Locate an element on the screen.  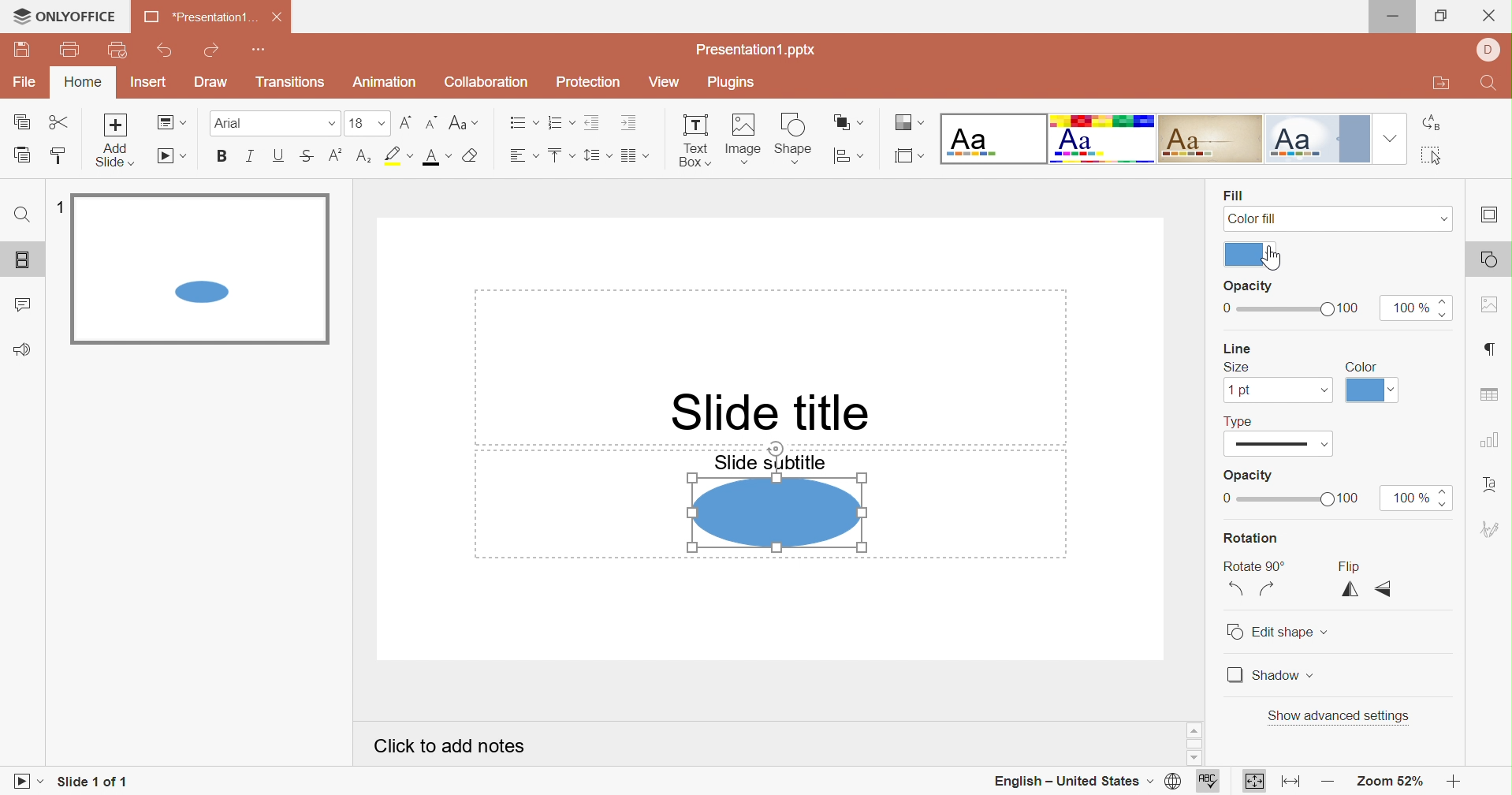
Superscript is located at coordinates (337, 155).